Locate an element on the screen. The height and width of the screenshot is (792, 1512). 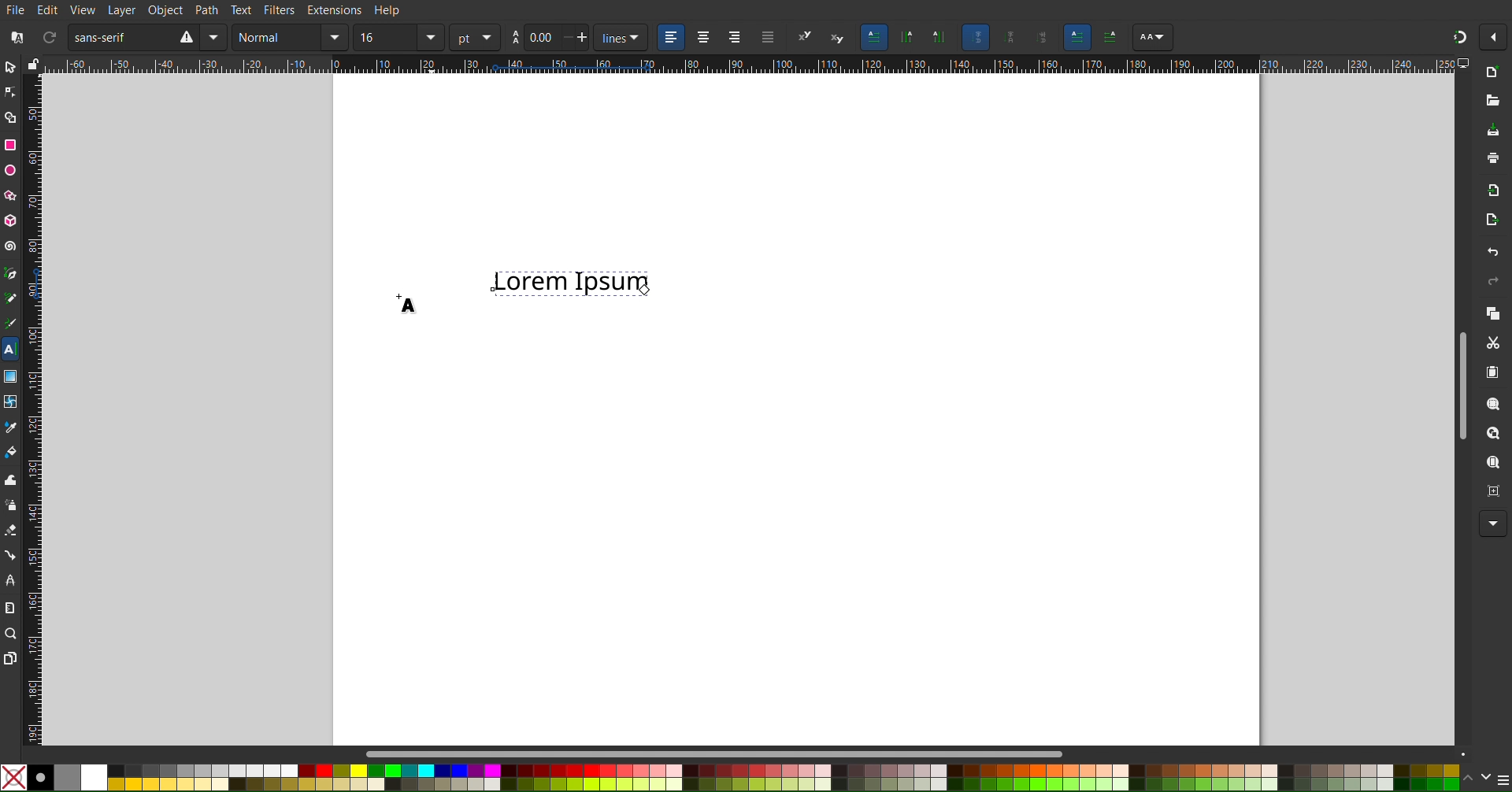
Ellipse is located at coordinates (11, 171).